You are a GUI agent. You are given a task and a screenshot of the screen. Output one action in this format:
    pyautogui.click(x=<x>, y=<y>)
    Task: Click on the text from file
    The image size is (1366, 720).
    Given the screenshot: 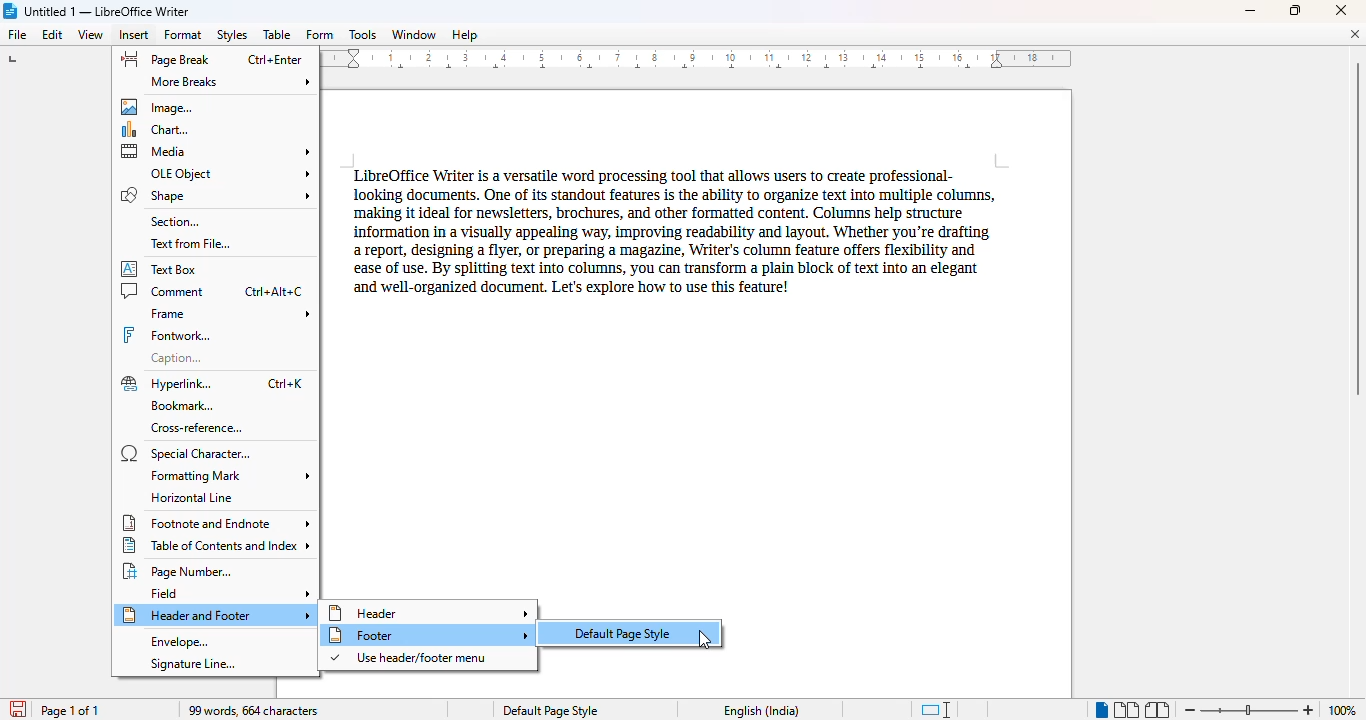 What is the action you would take?
    pyautogui.click(x=190, y=244)
    